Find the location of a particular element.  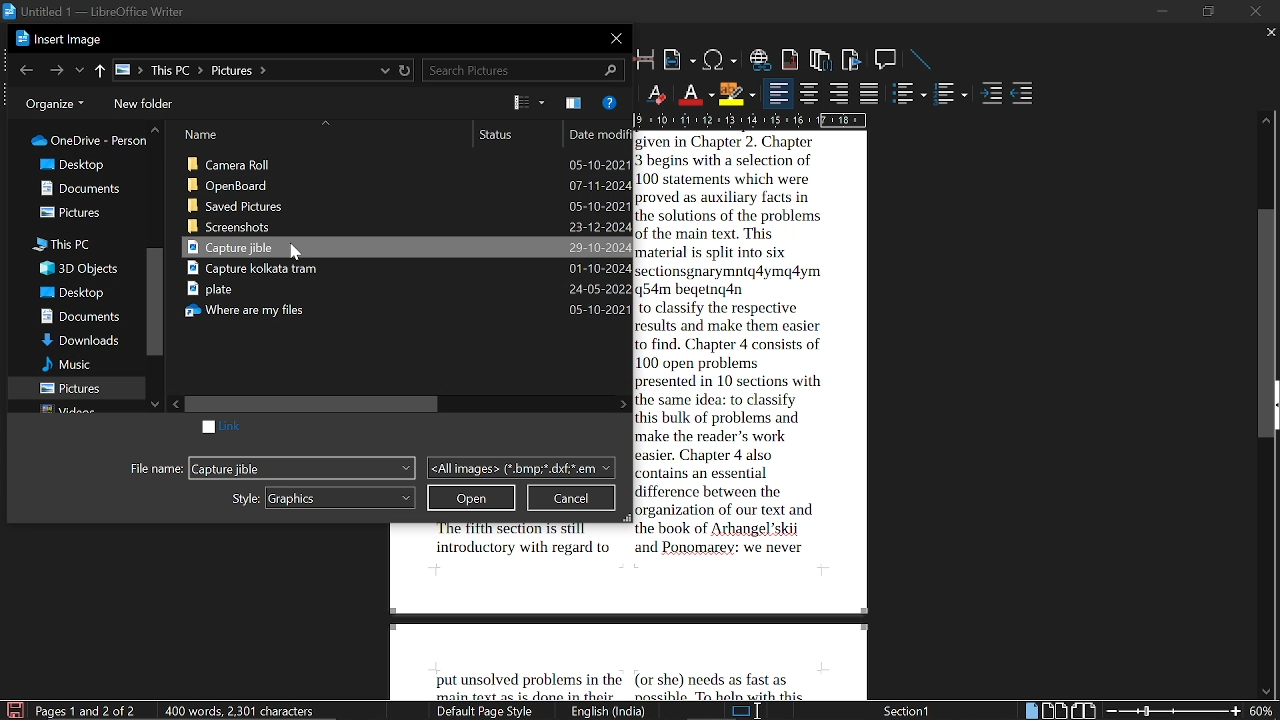

align right is located at coordinates (840, 93).